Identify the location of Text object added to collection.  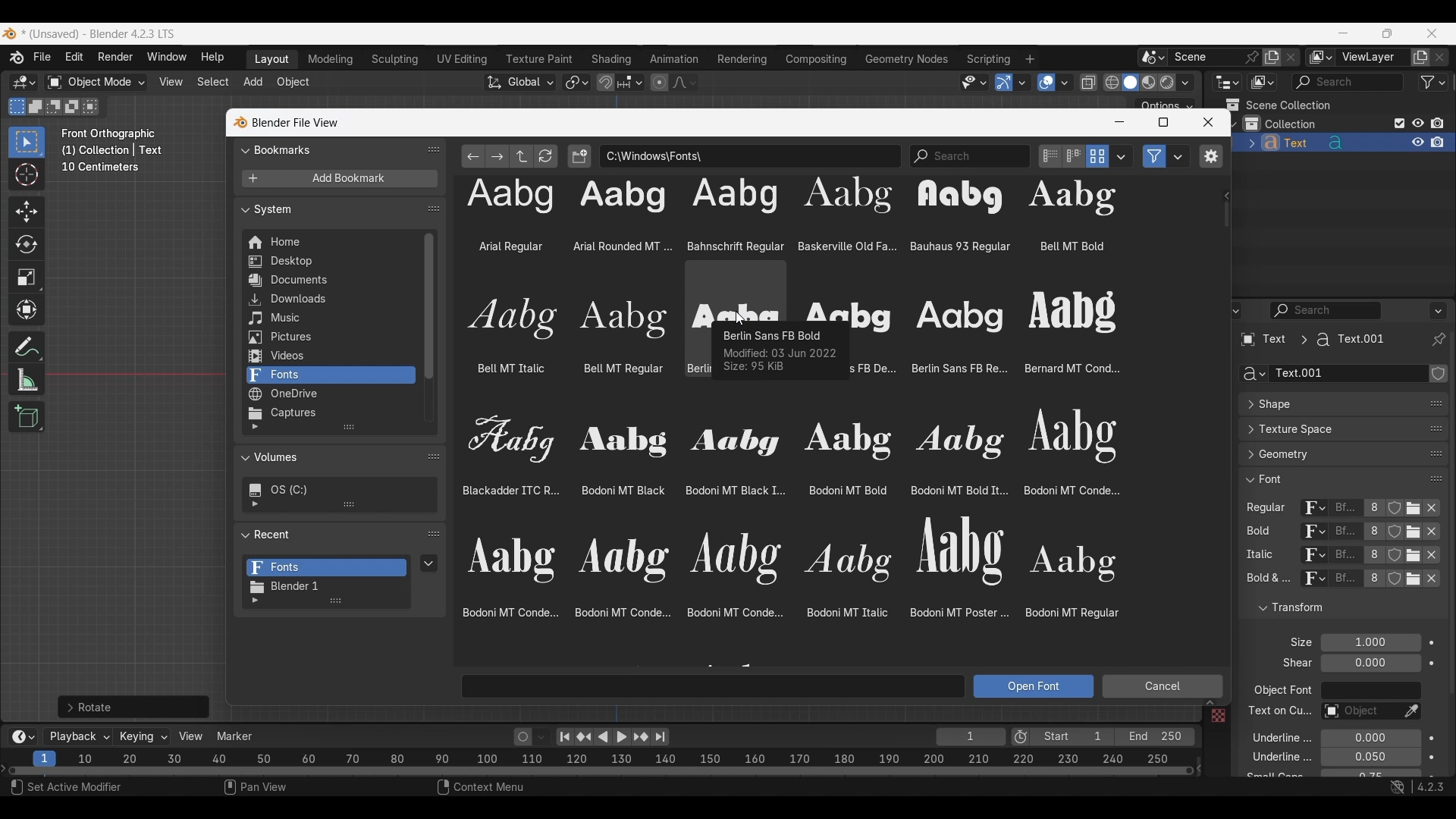
(1344, 143).